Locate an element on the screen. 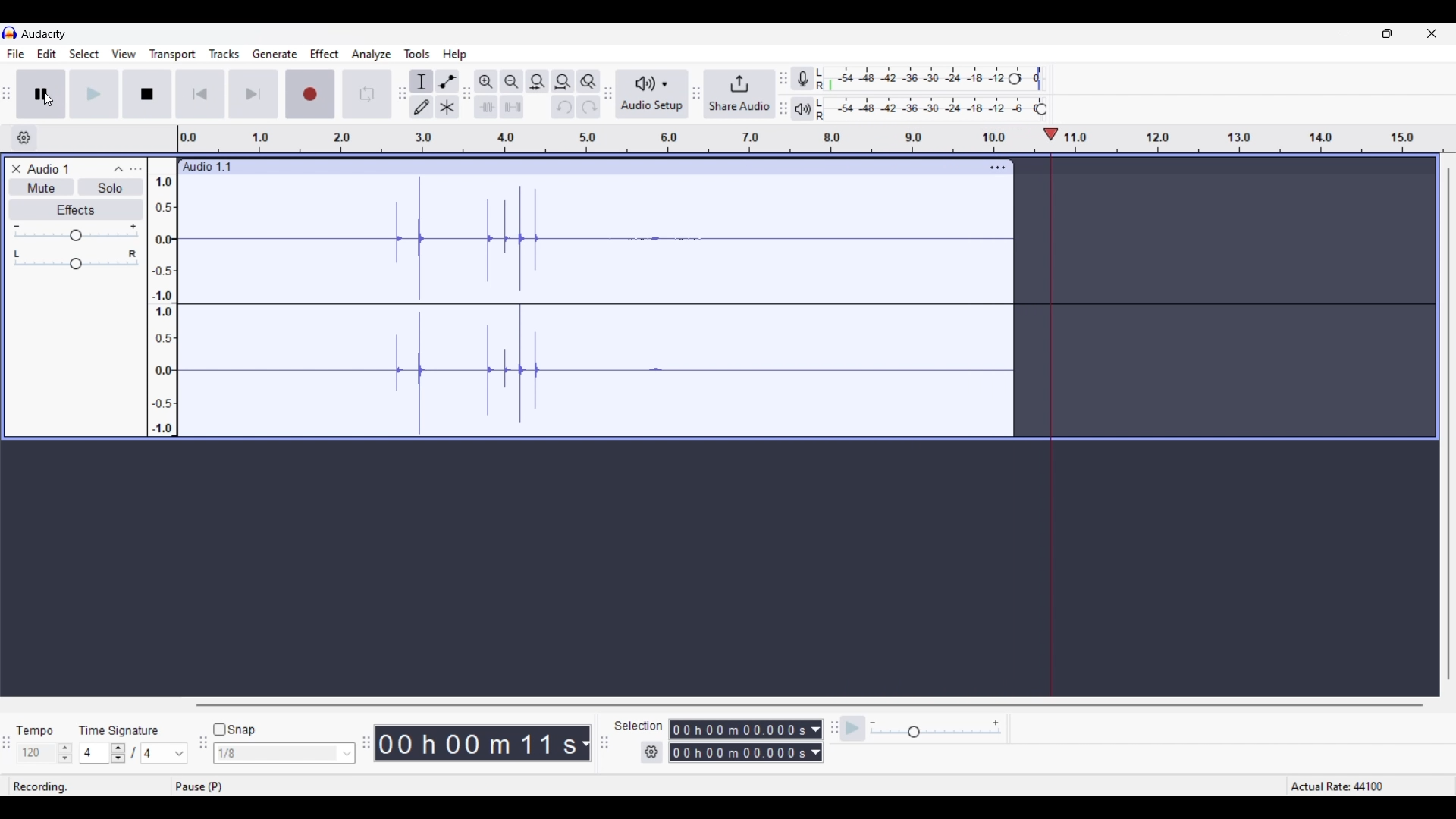 The image size is (1456, 819). L R L R is located at coordinates (822, 96).